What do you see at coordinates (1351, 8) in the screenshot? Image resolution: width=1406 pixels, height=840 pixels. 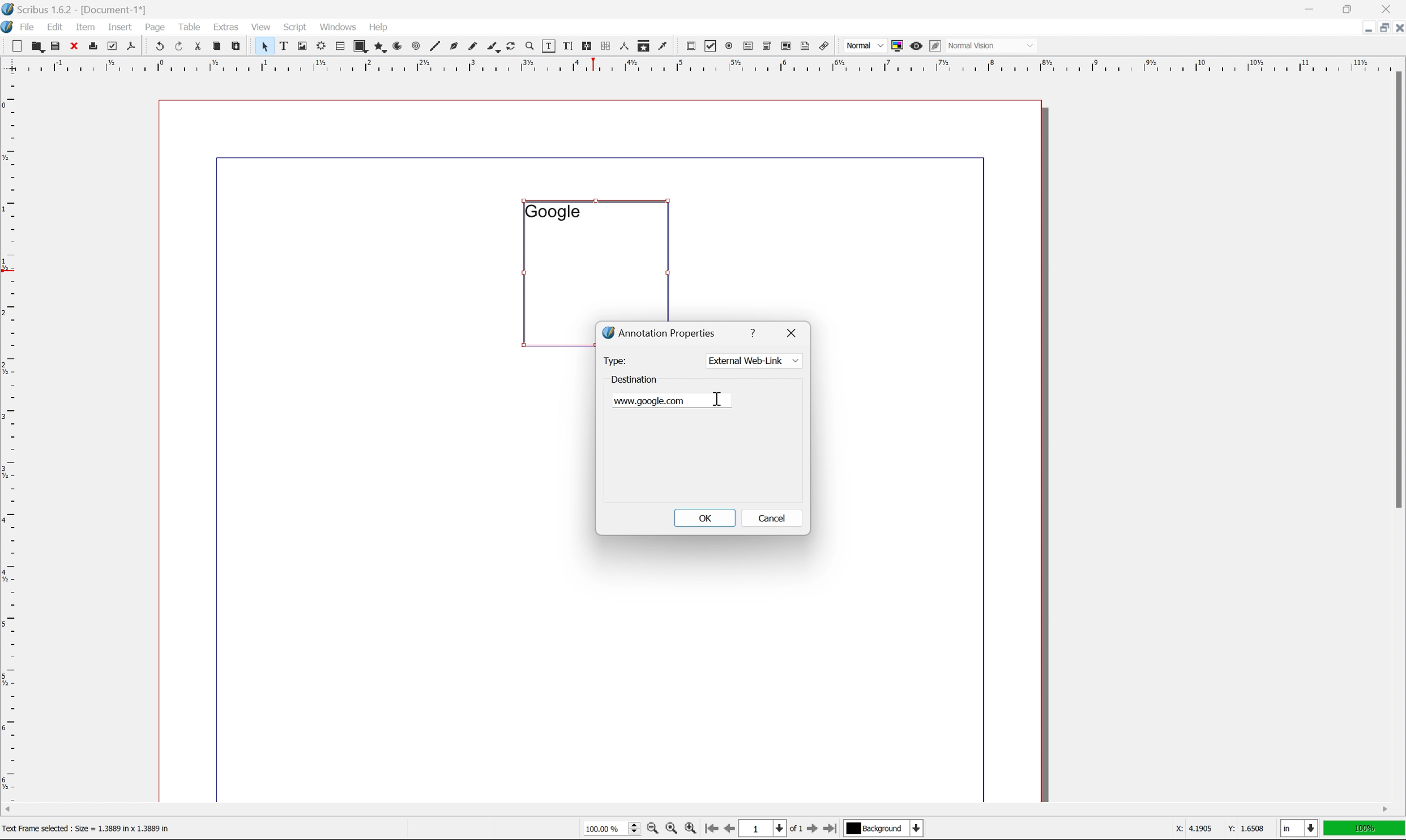 I see `restore down` at bounding box center [1351, 8].